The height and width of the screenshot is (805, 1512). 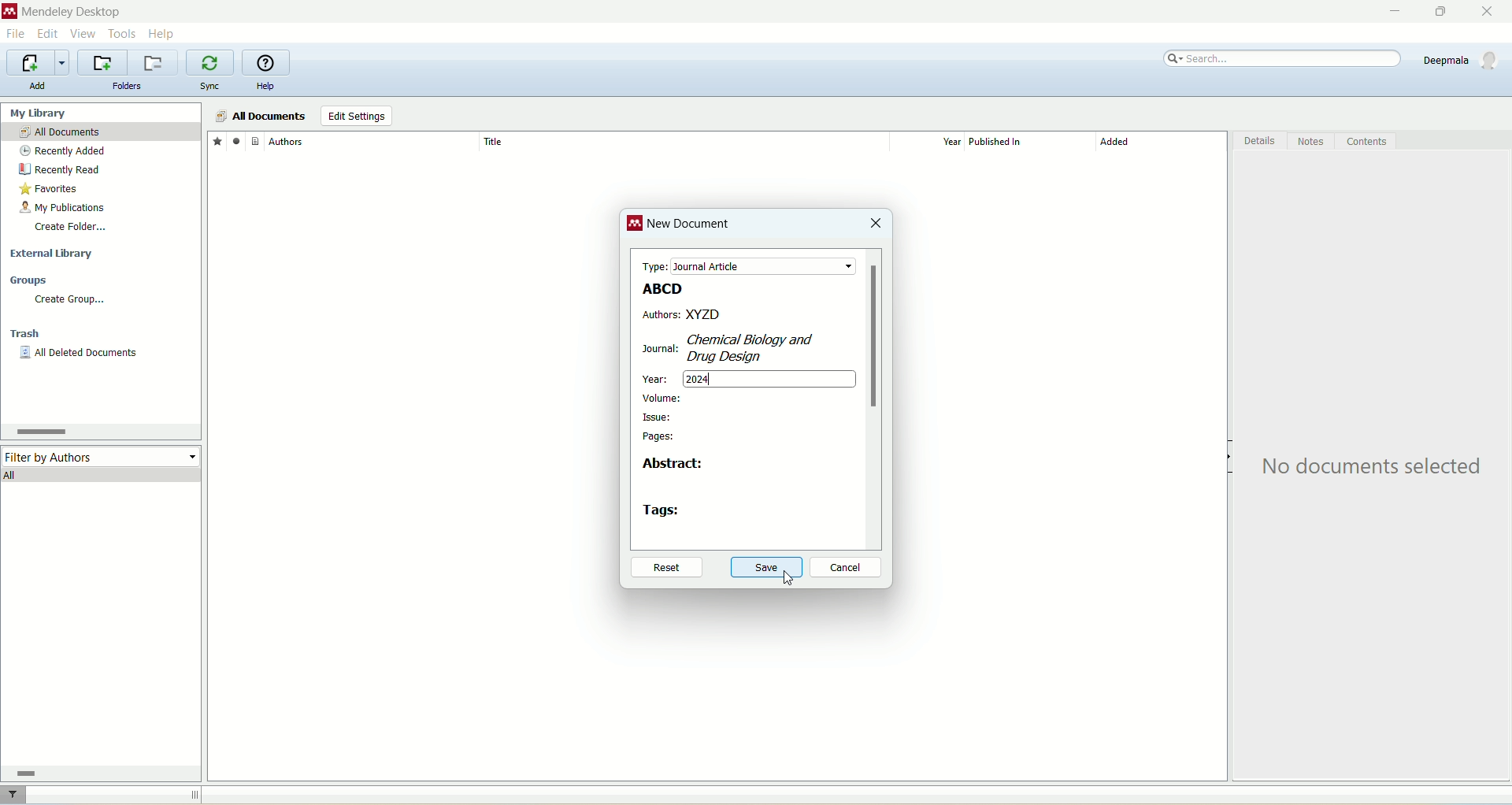 I want to click on external library, so click(x=54, y=254).